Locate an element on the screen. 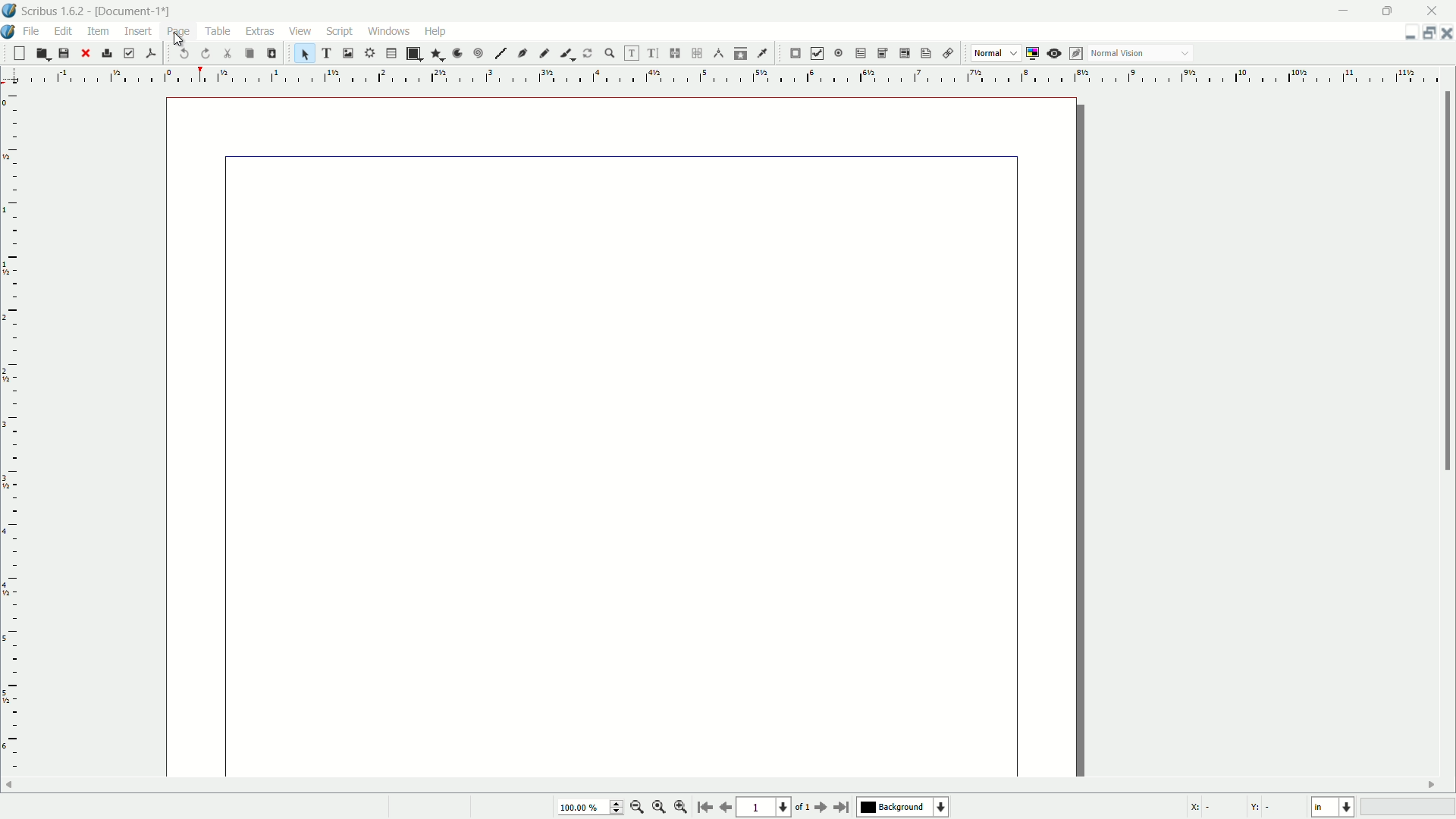 This screenshot has height=819, width=1456. zoom to 100% is located at coordinates (659, 808).